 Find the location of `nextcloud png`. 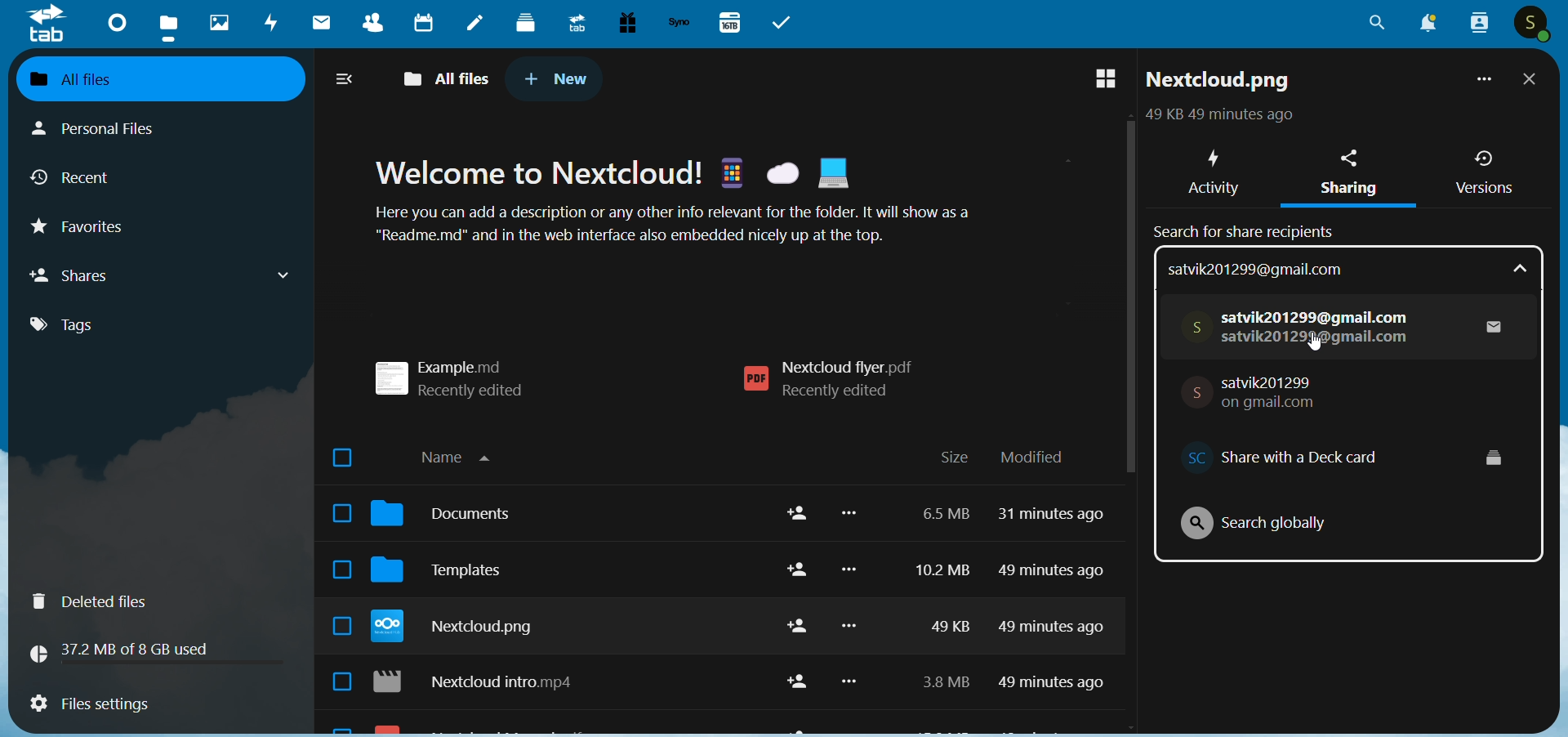

nextcloud png is located at coordinates (1219, 83).